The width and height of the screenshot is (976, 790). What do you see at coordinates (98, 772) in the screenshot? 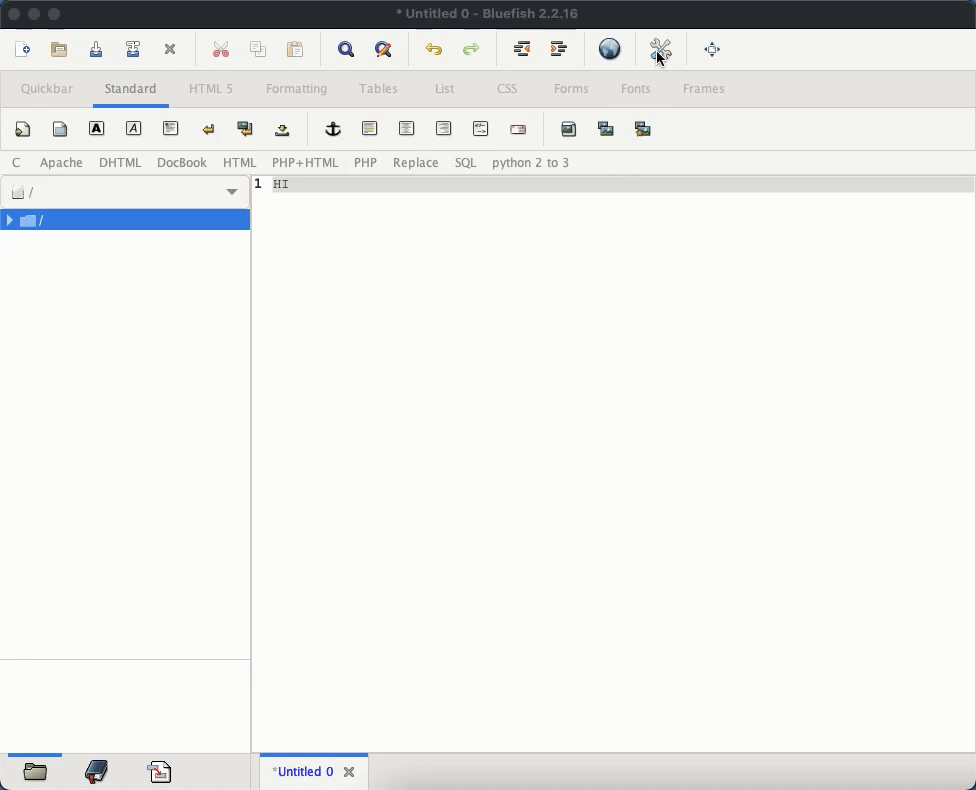
I see `bookmark` at bounding box center [98, 772].